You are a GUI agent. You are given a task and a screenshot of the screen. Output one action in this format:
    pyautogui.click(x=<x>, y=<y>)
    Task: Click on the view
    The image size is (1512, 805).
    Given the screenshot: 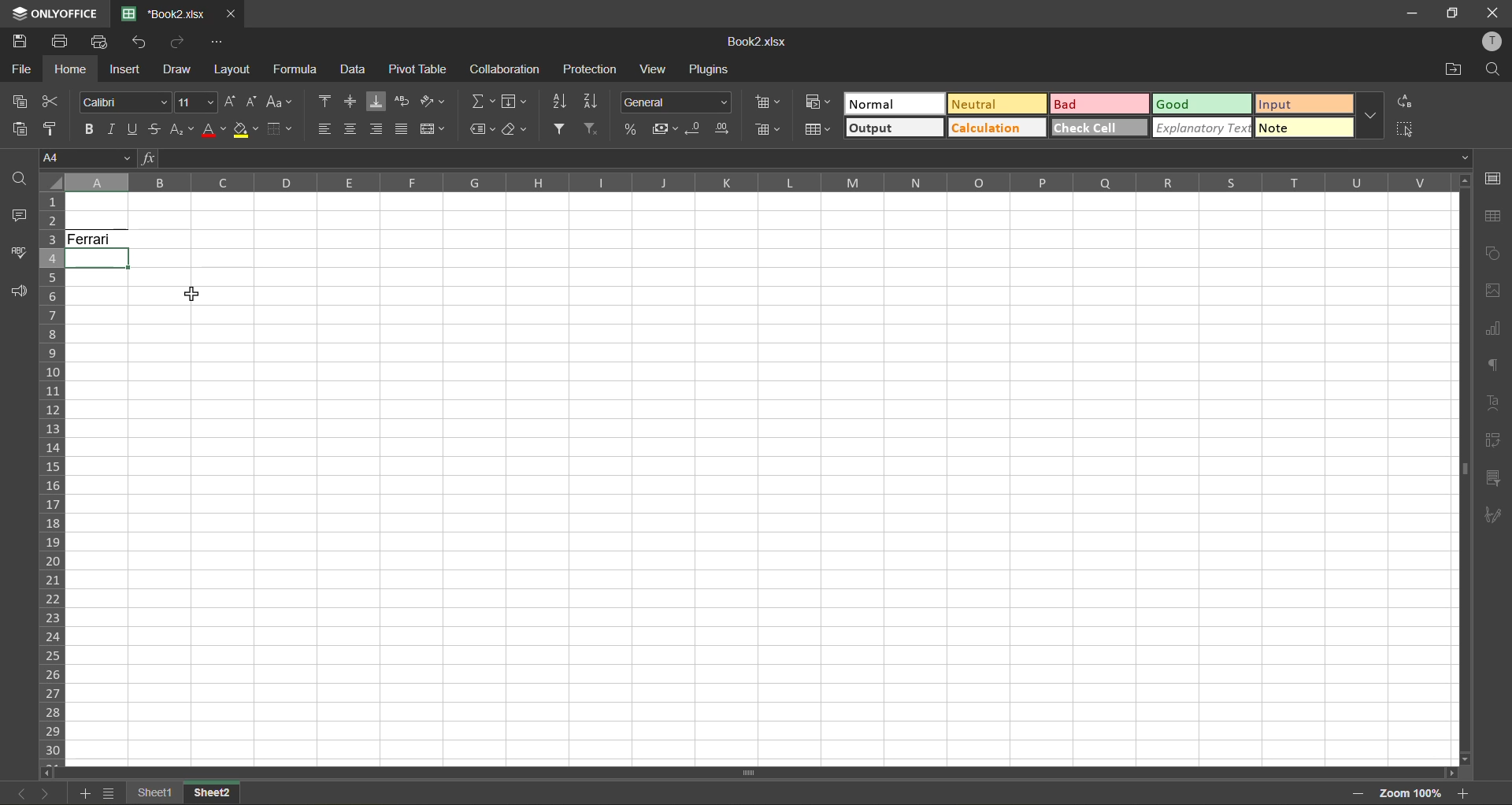 What is the action you would take?
    pyautogui.click(x=656, y=68)
    